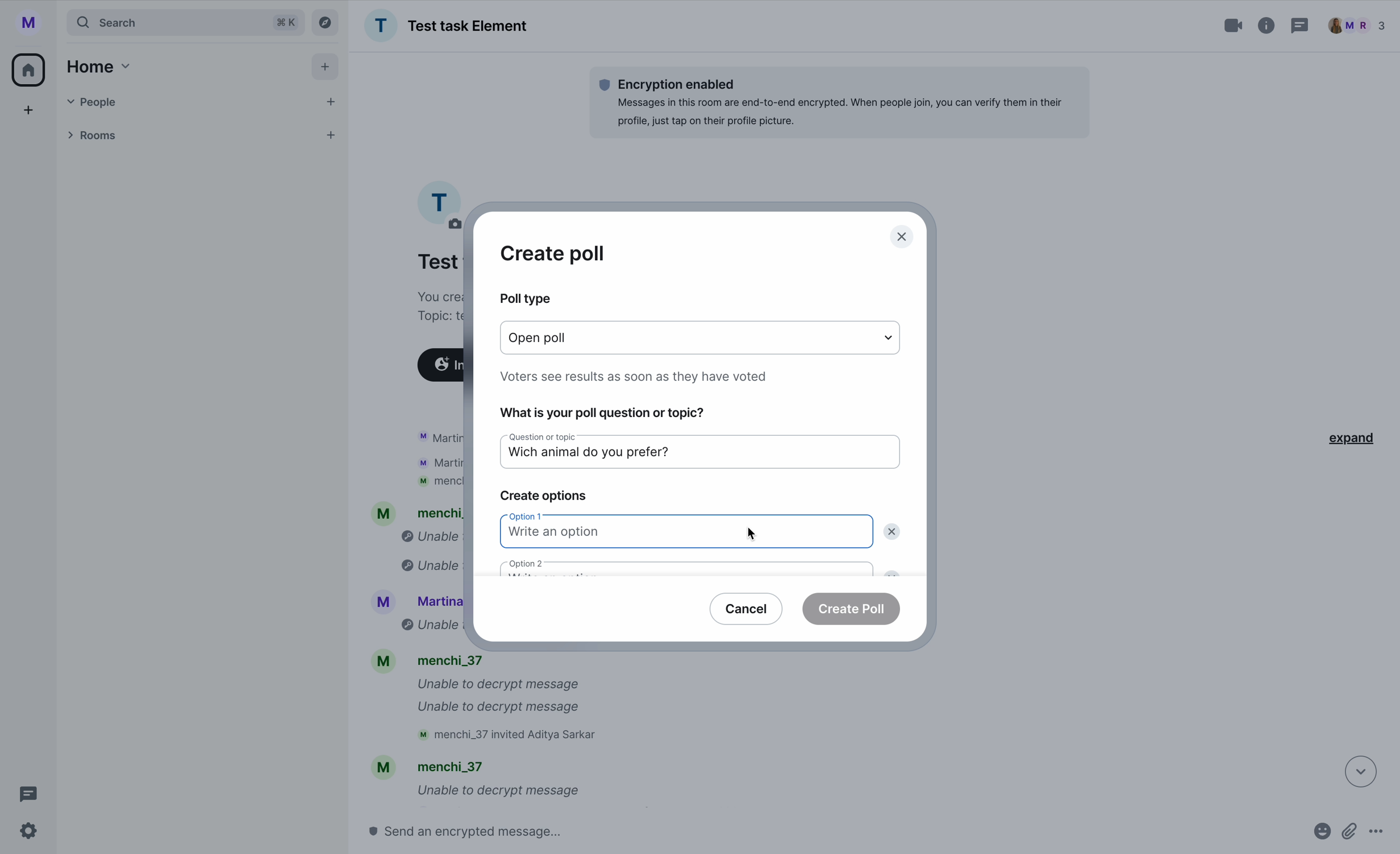  What do you see at coordinates (702, 338) in the screenshot?
I see `type options` at bounding box center [702, 338].